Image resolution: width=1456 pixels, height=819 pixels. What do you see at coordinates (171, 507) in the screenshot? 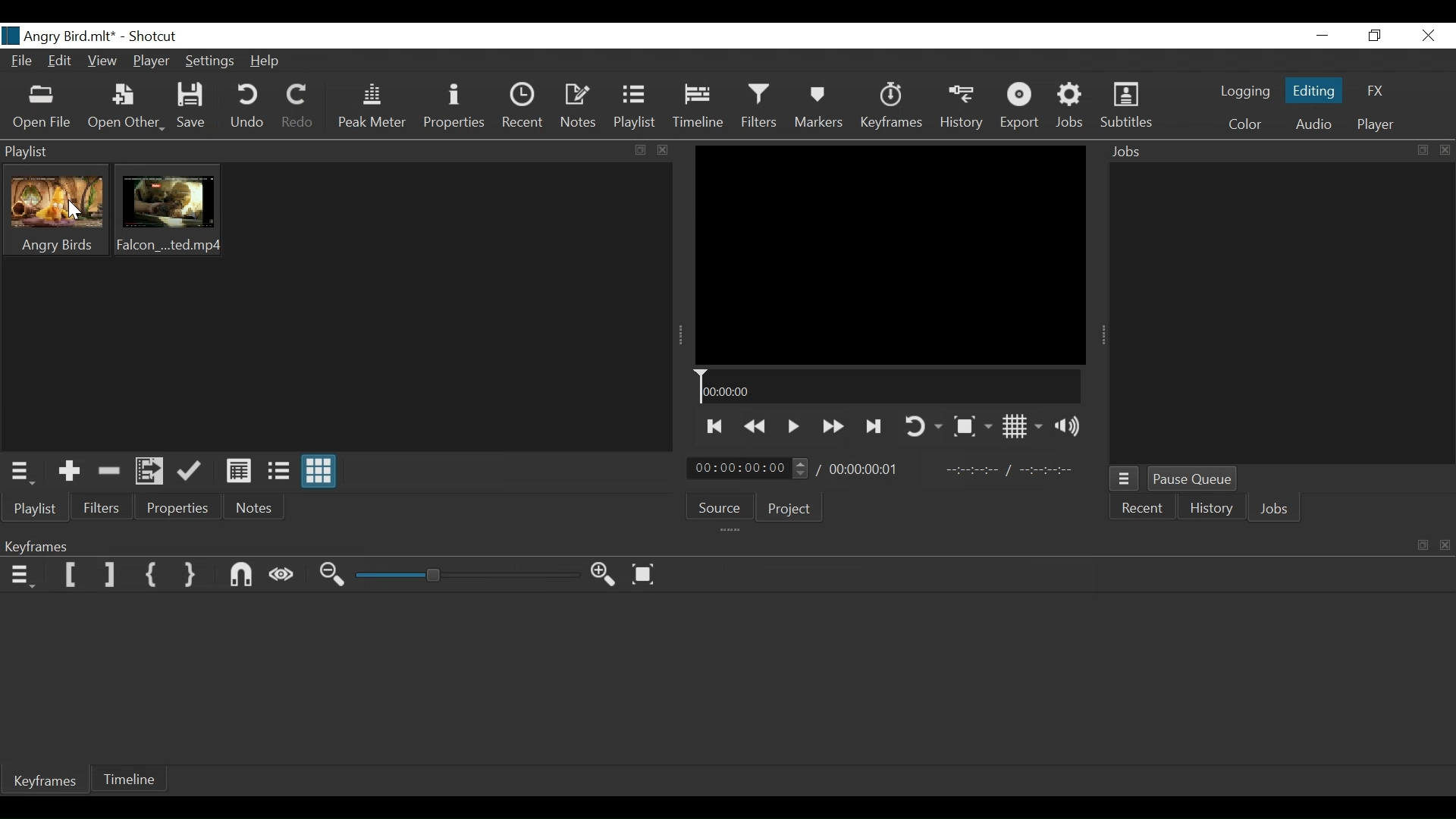
I see `Properties` at bounding box center [171, 507].